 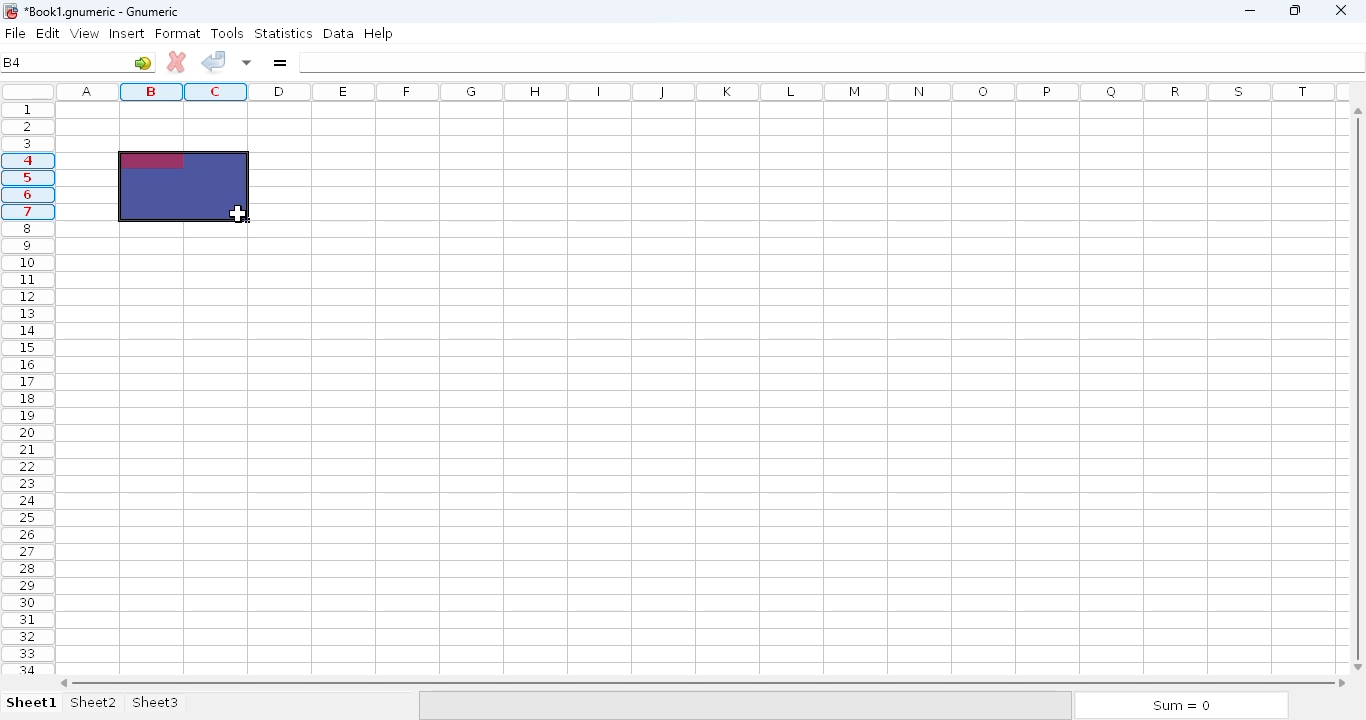 I want to click on go to, so click(x=144, y=63).